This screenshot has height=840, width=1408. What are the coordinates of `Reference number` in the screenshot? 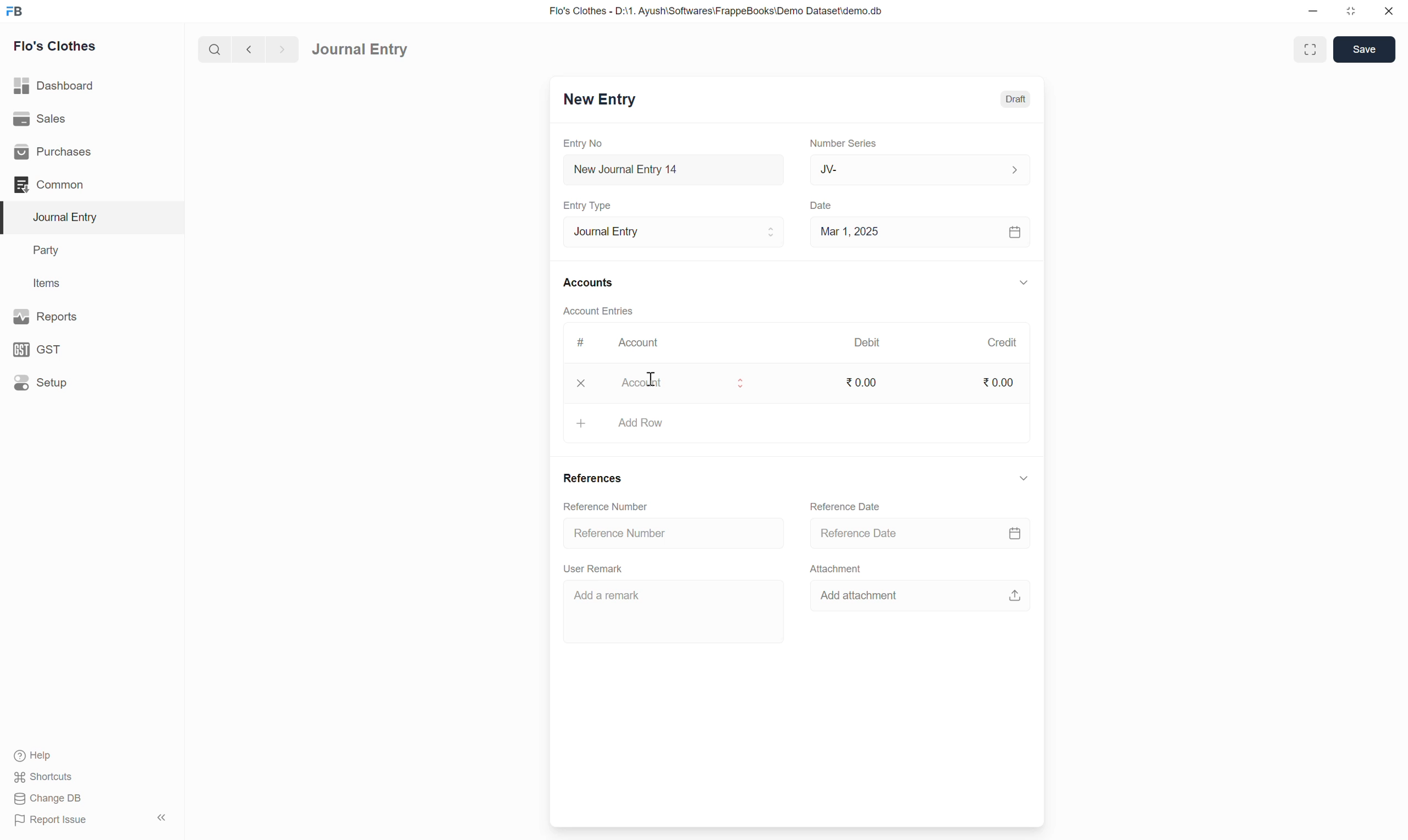 It's located at (617, 506).